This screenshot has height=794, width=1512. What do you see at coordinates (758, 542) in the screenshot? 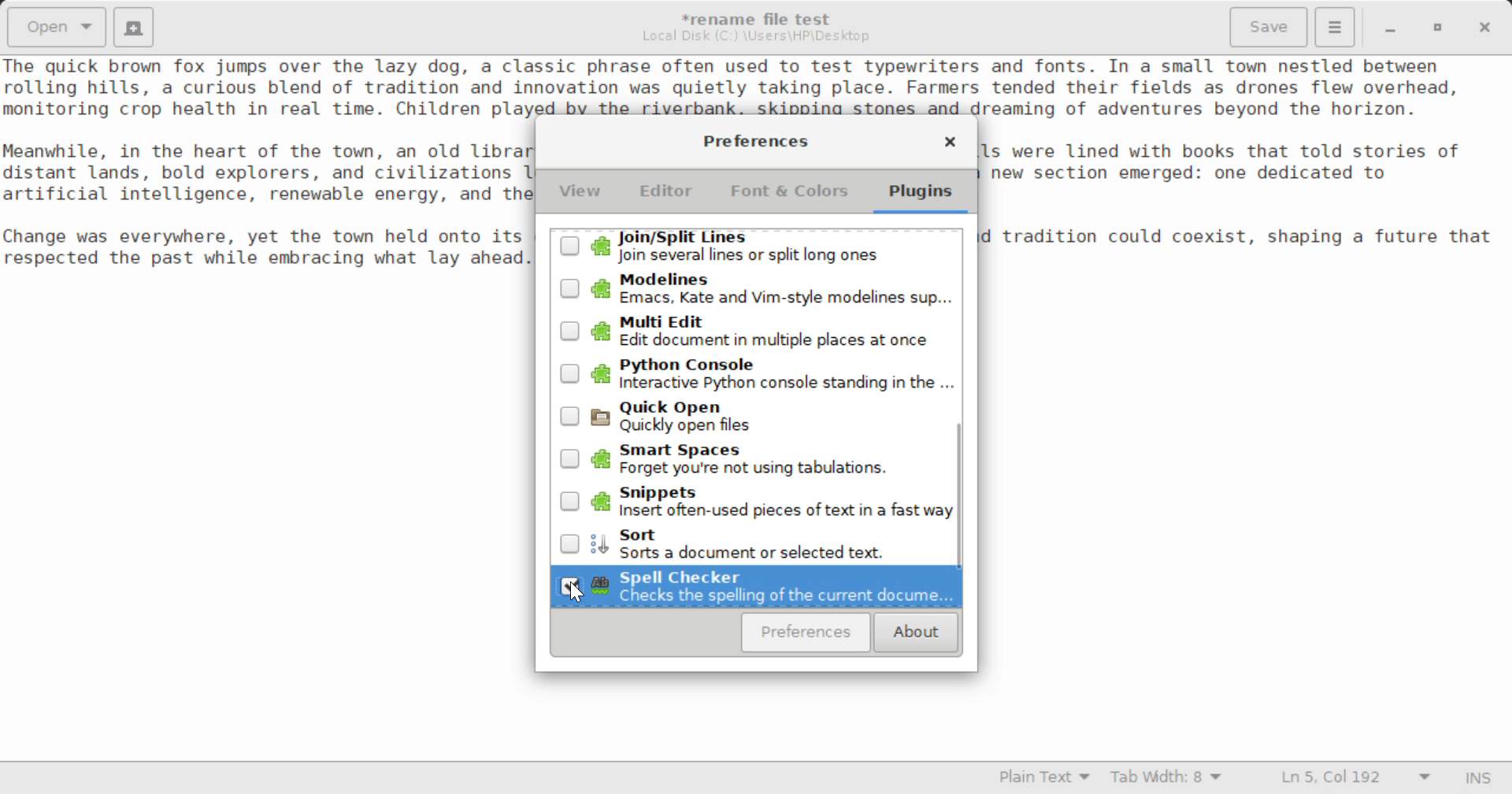
I see `Sort Plugin Button Unselected` at bounding box center [758, 542].